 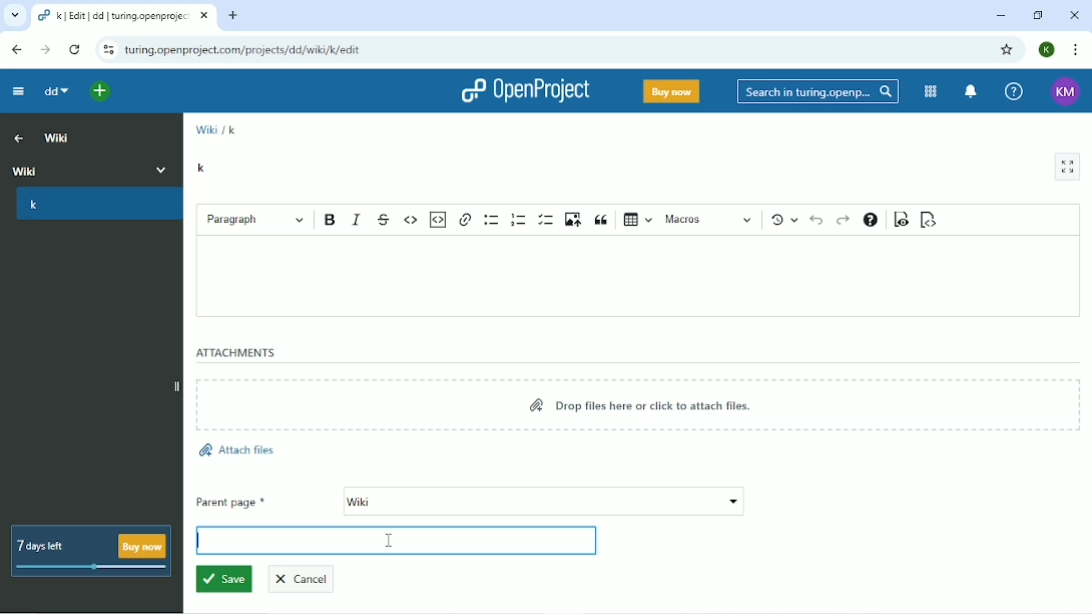 What do you see at coordinates (671, 91) in the screenshot?
I see `Buy now` at bounding box center [671, 91].